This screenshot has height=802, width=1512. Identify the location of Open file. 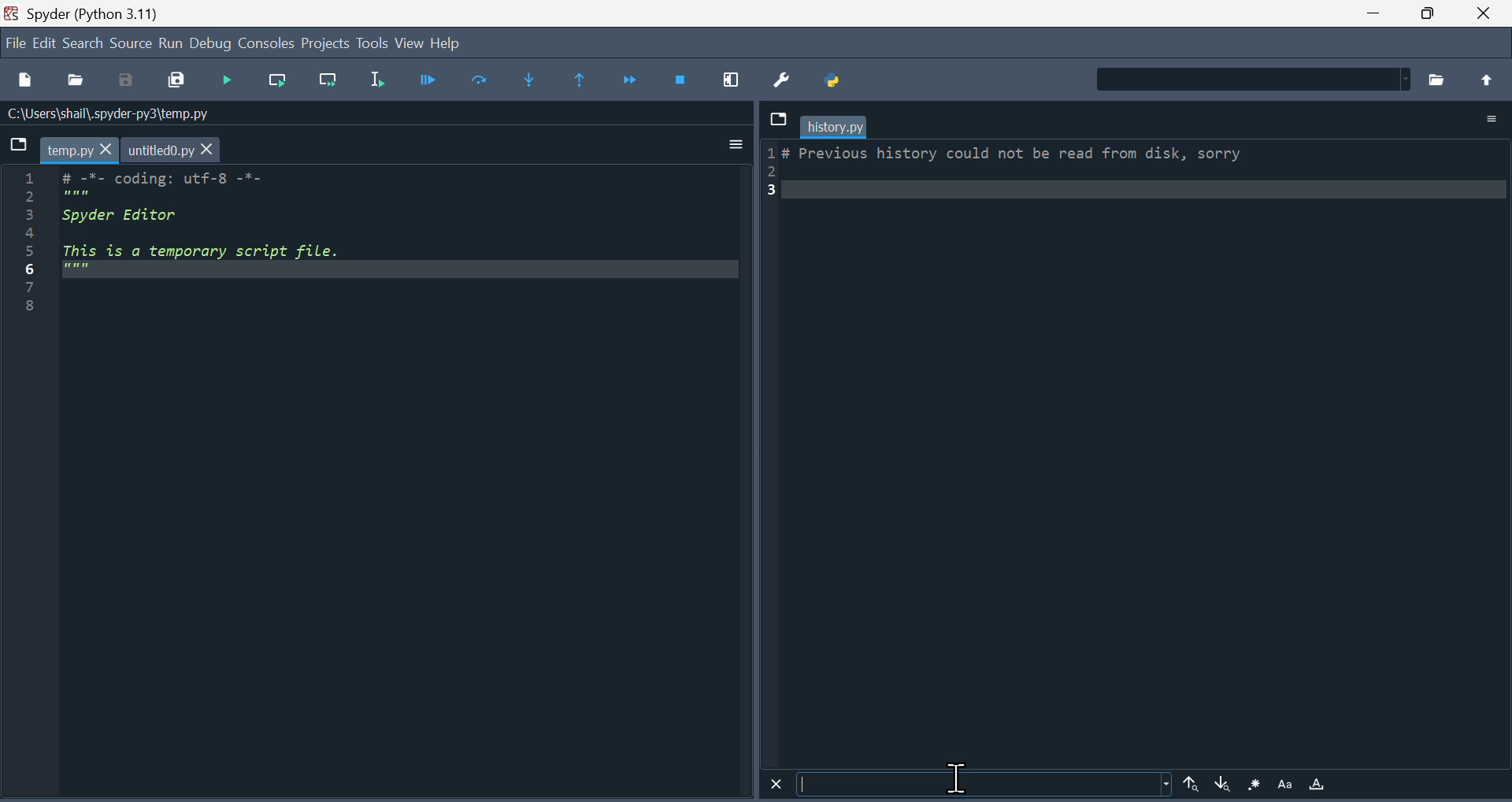
(76, 80).